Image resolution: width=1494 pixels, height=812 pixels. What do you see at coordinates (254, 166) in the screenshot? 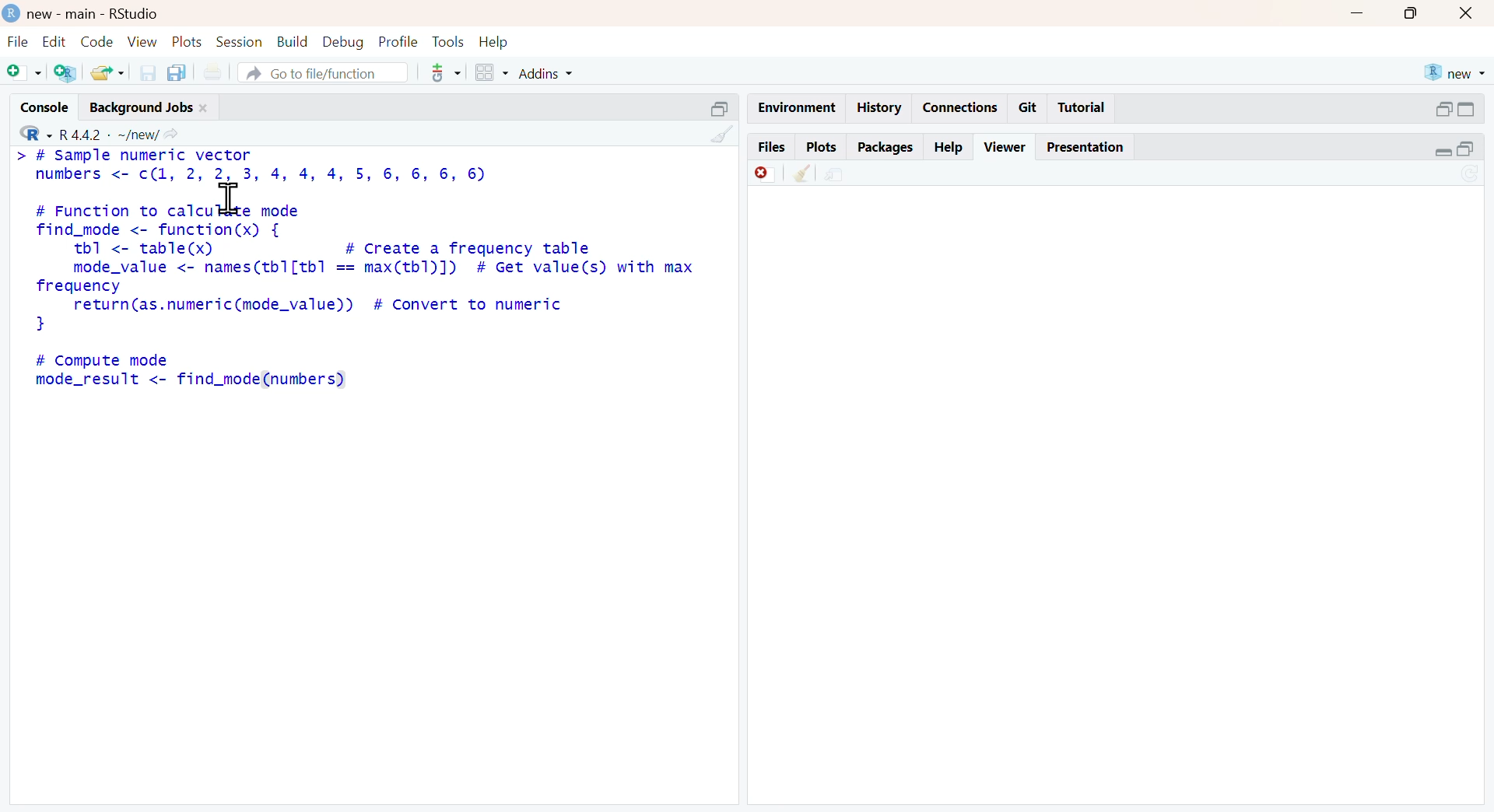
I see `> # Sample numeric vector
numbers <- c(l, 2, 2, 3, 4, 4, 4, 5, 6, 6, 6, 6)` at bounding box center [254, 166].